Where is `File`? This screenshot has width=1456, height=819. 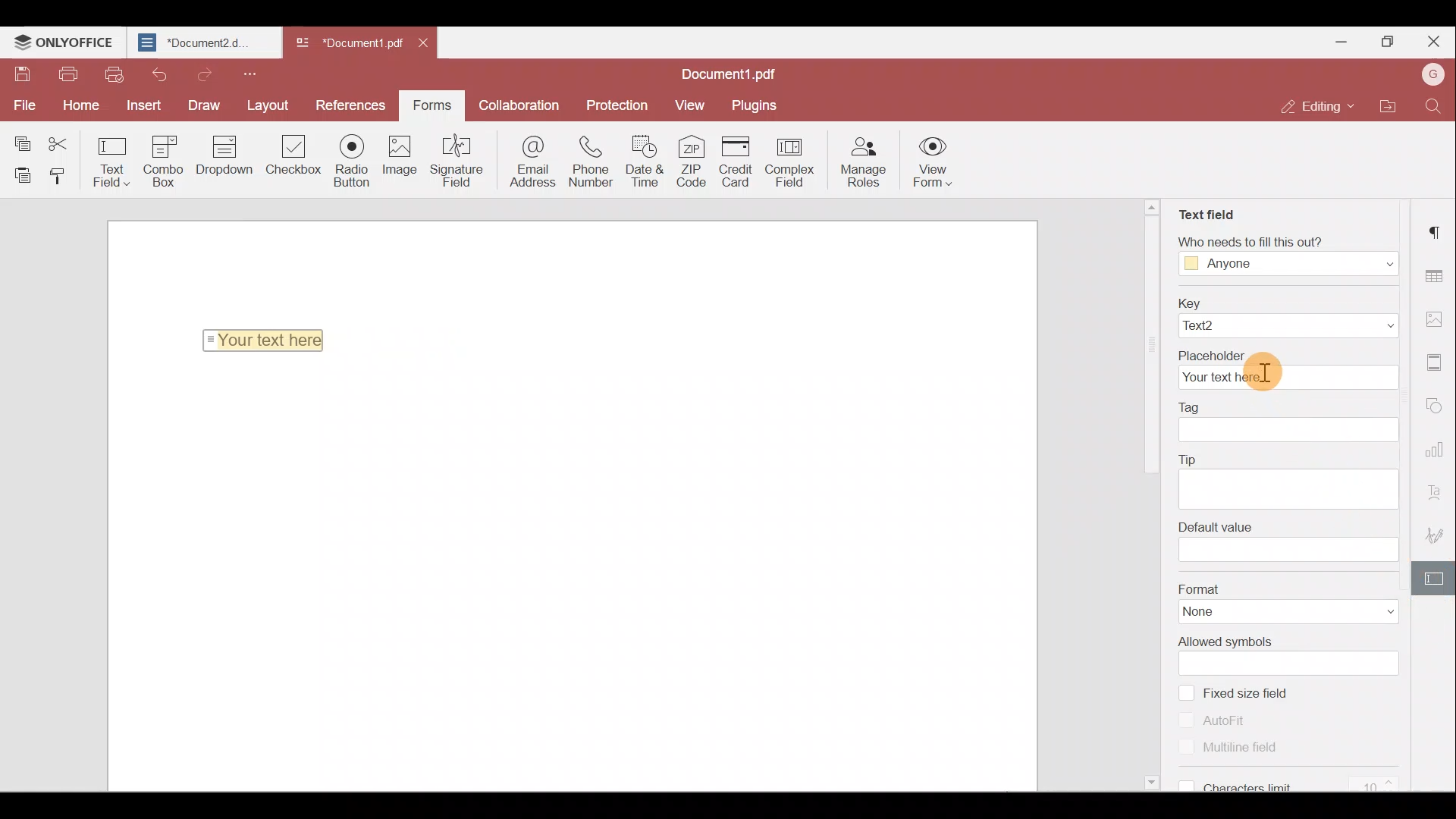 File is located at coordinates (23, 104).